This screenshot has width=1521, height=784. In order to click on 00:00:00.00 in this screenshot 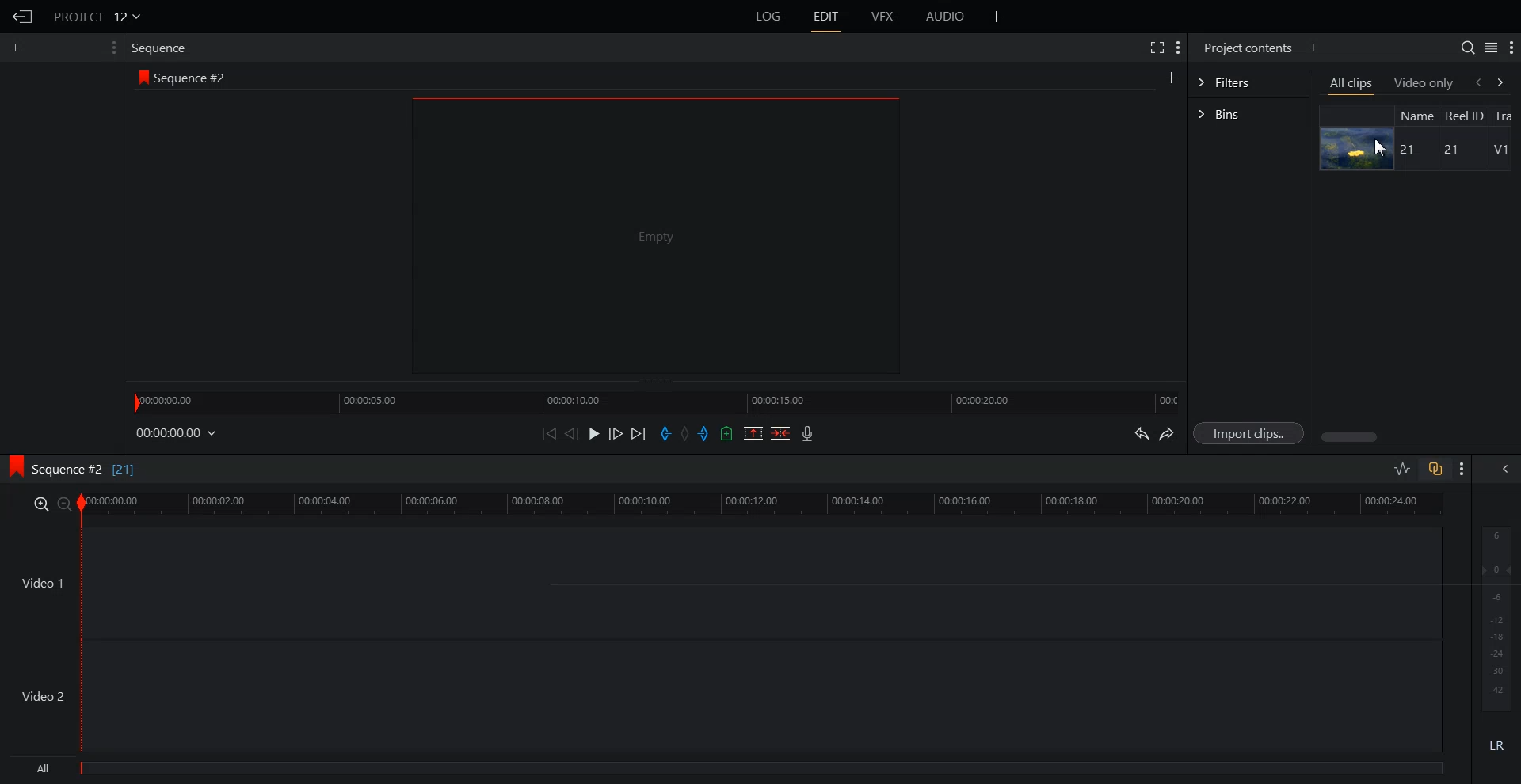, I will do `click(177, 434)`.